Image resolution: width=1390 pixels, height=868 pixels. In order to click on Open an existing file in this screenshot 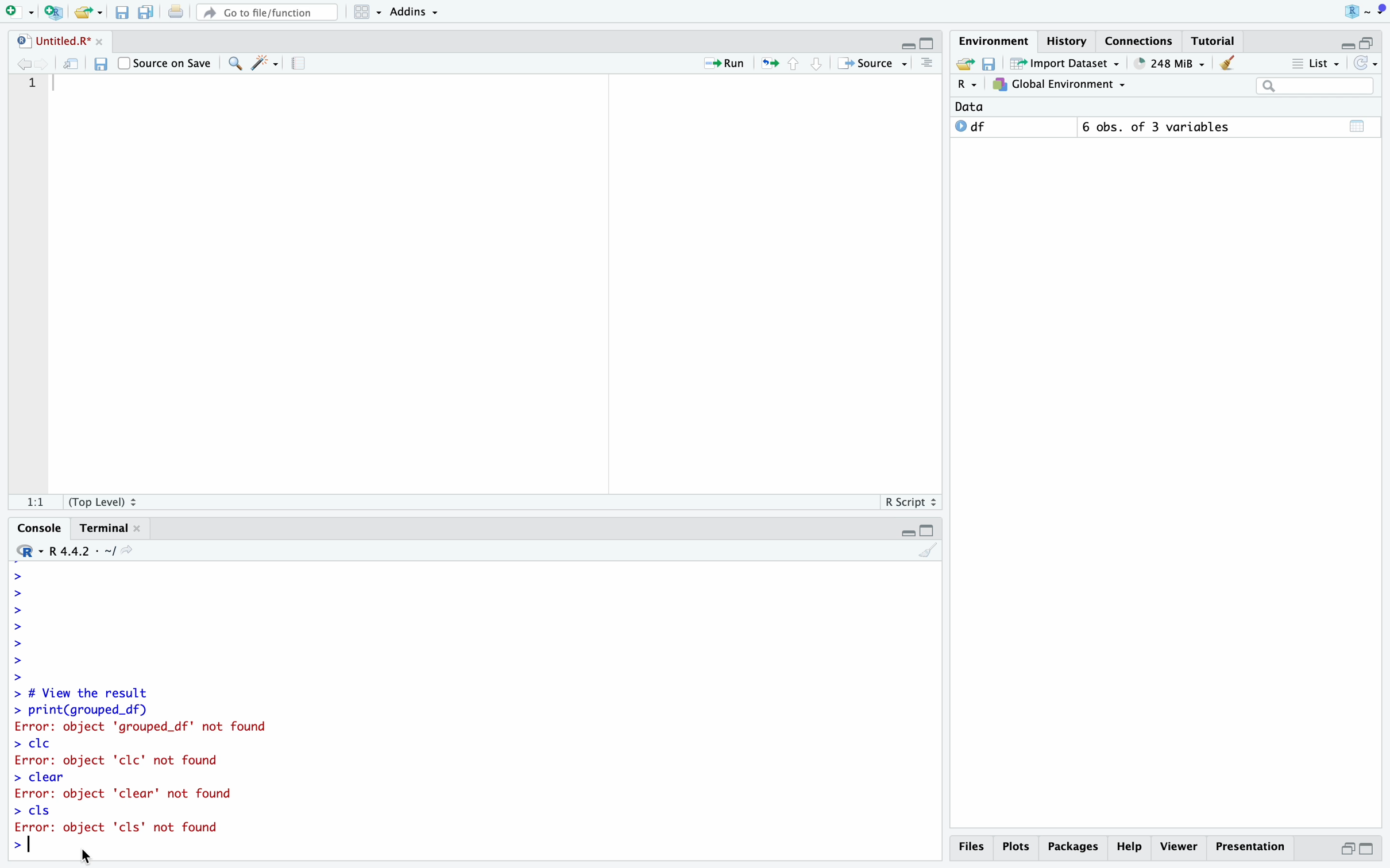, I will do `click(88, 11)`.